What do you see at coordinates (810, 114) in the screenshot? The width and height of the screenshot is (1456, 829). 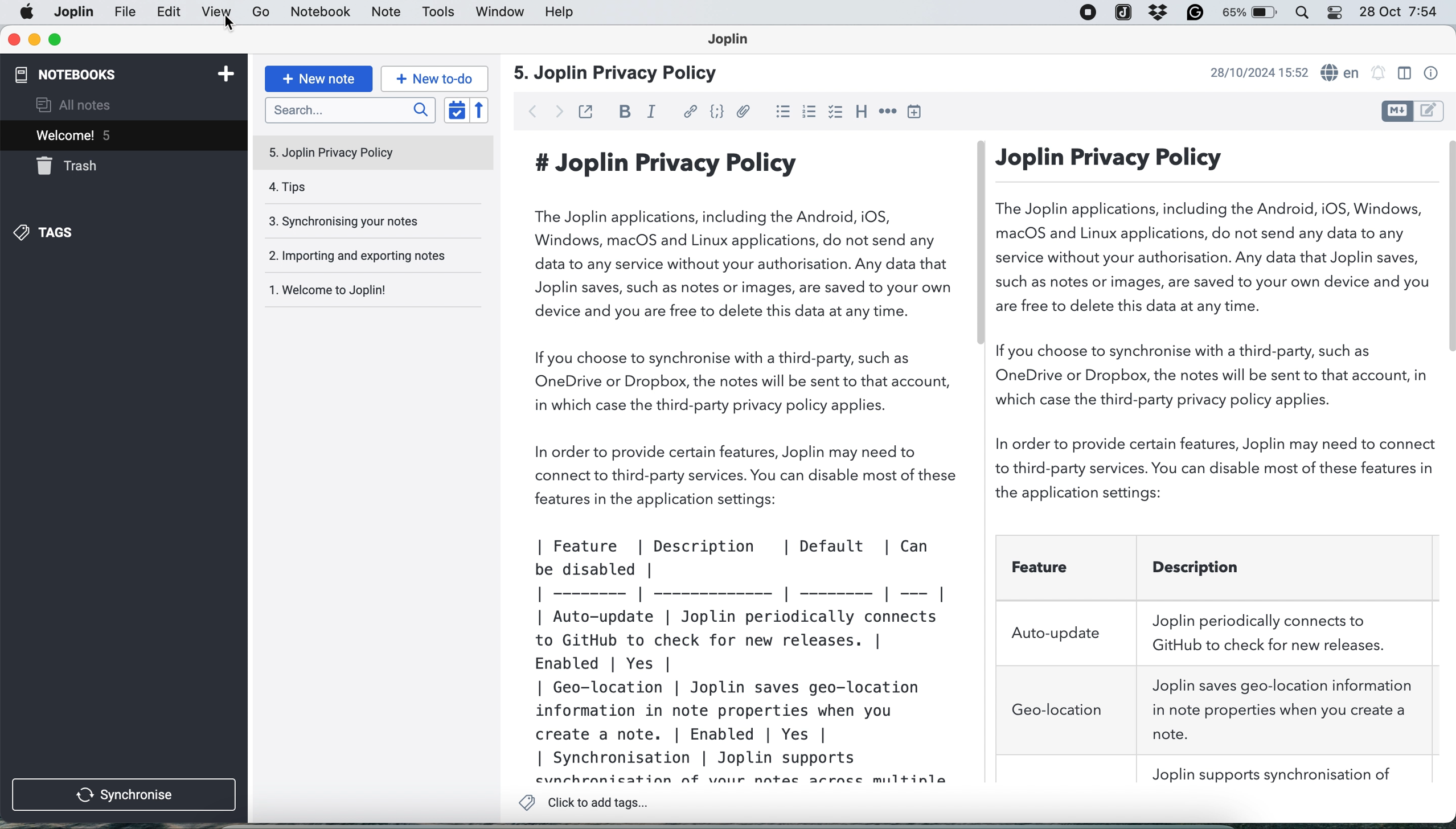 I see `numered list` at bounding box center [810, 114].